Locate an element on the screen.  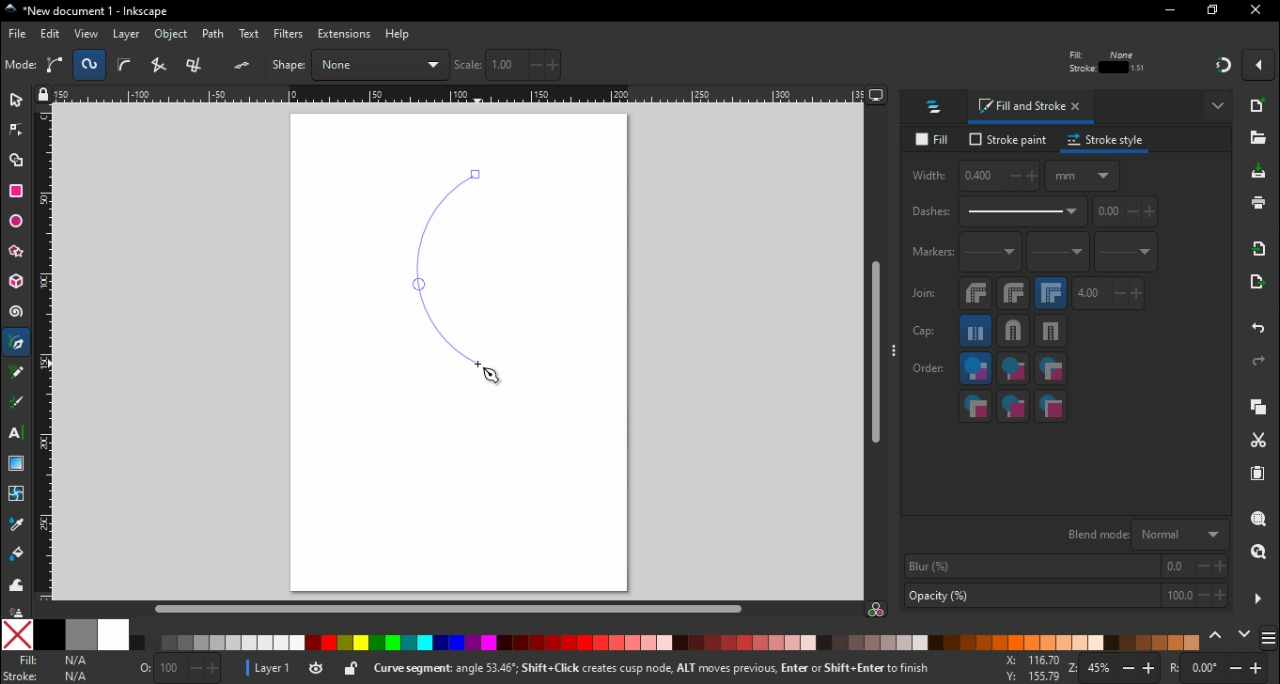
create a sequence of paraxial line segments is located at coordinates (198, 65).